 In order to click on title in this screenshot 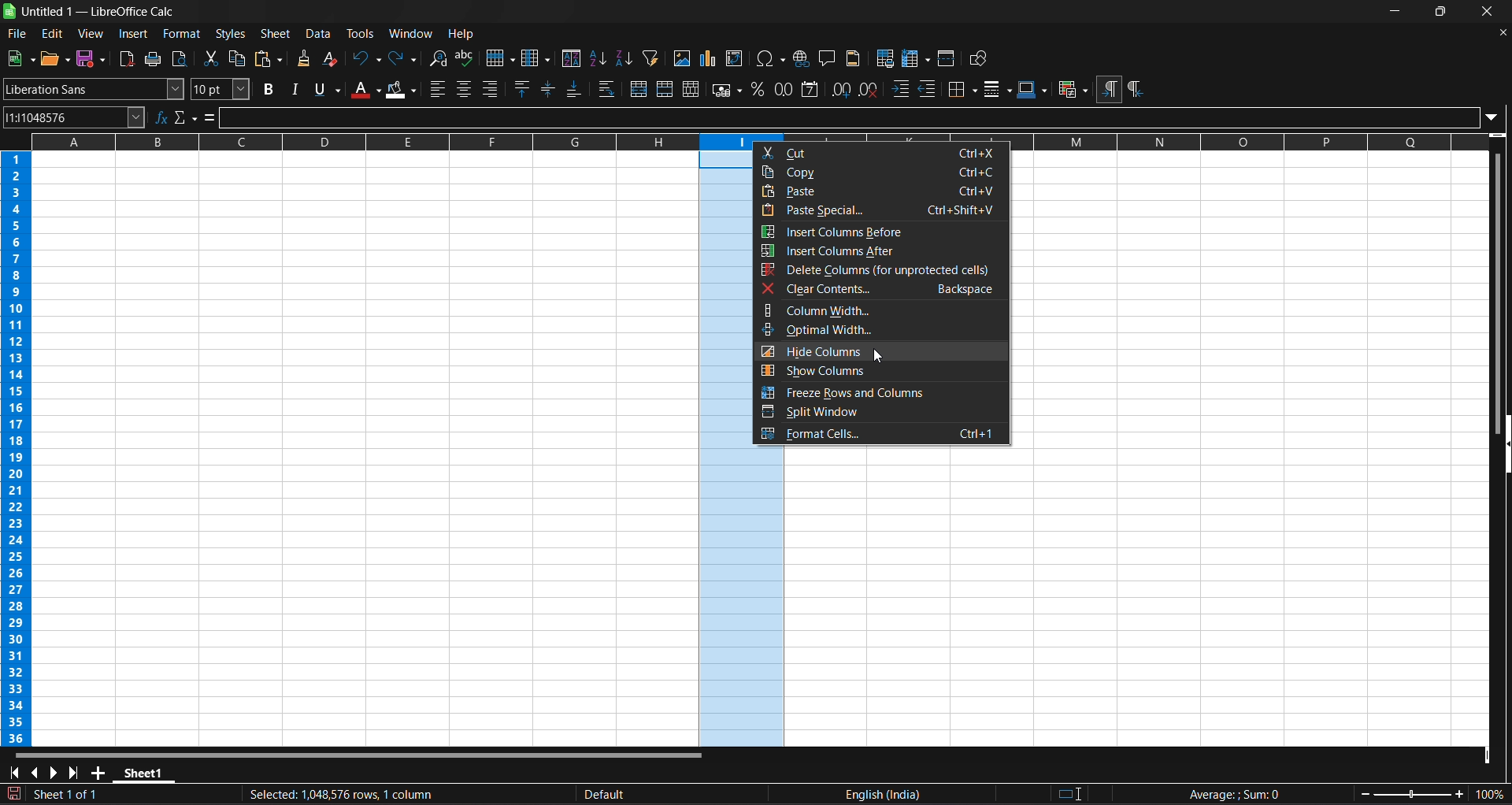, I will do `click(98, 11)`.